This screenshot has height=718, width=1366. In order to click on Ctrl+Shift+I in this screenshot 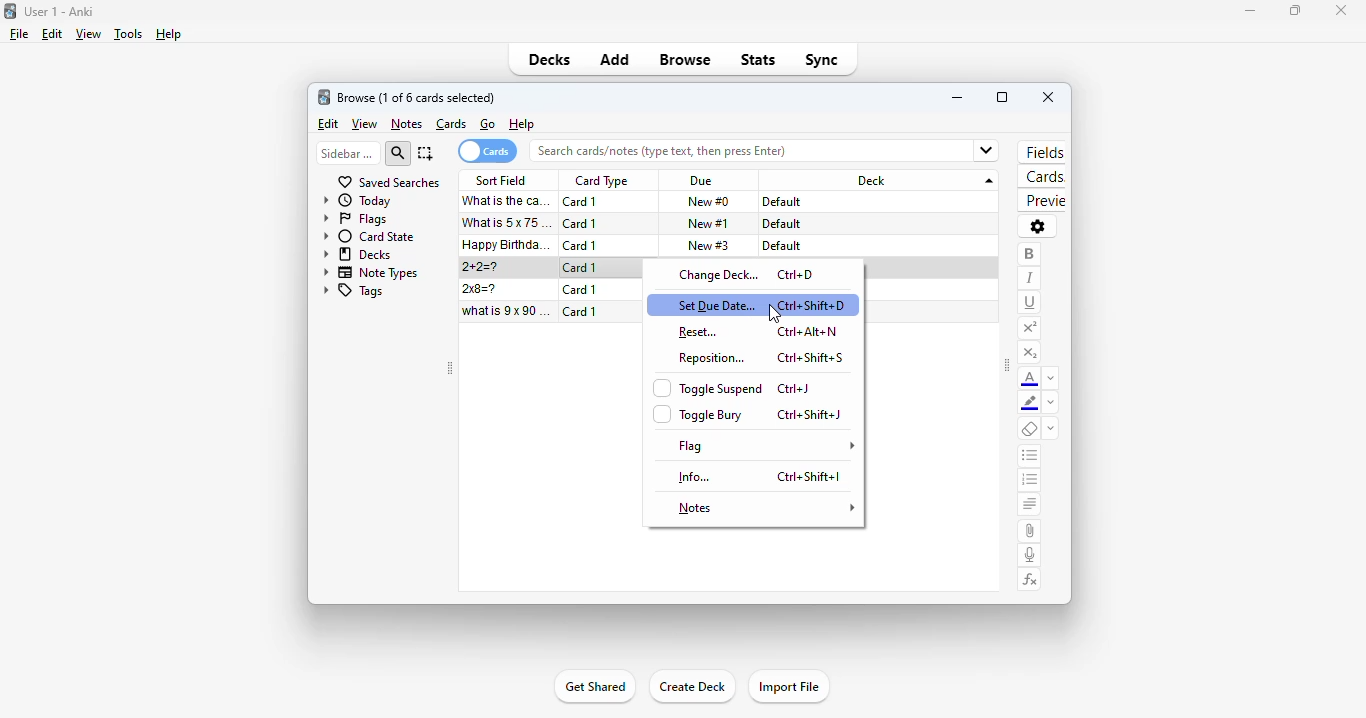, I will do `click(810, 477)`.